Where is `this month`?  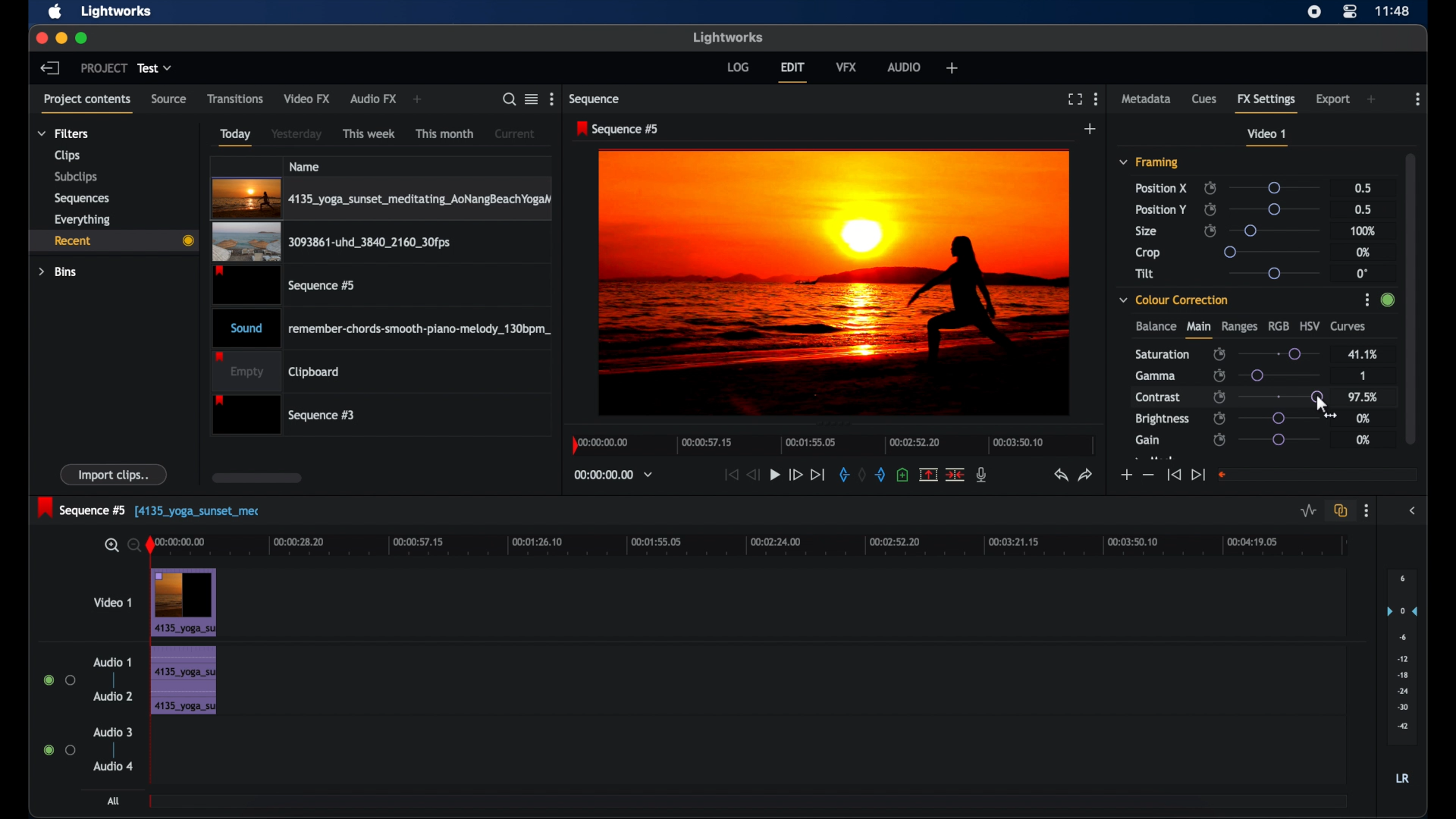
this month is located at coordinates (444, 133).